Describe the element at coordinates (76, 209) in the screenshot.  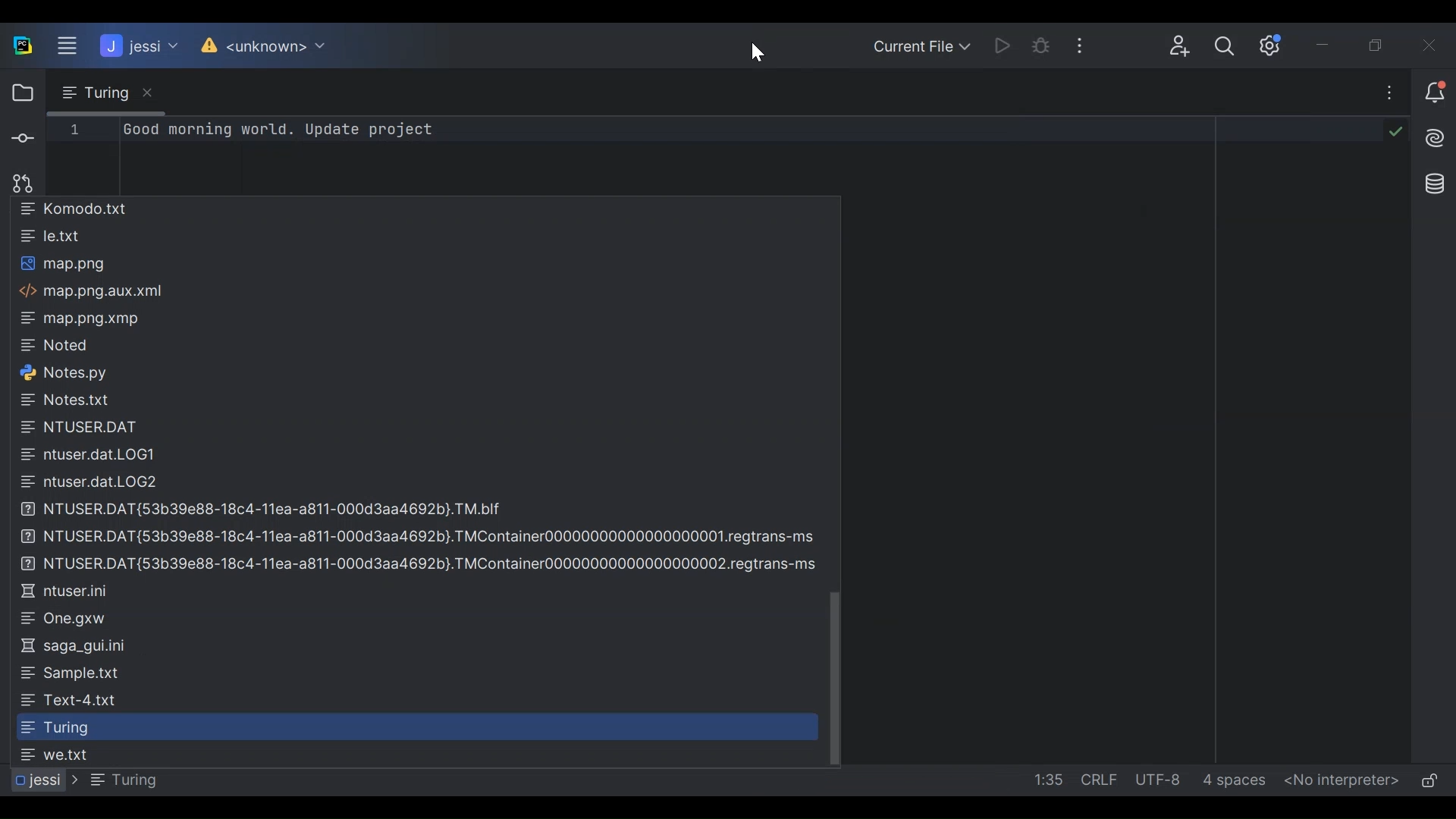
I see `Komodo.txt` at that location.